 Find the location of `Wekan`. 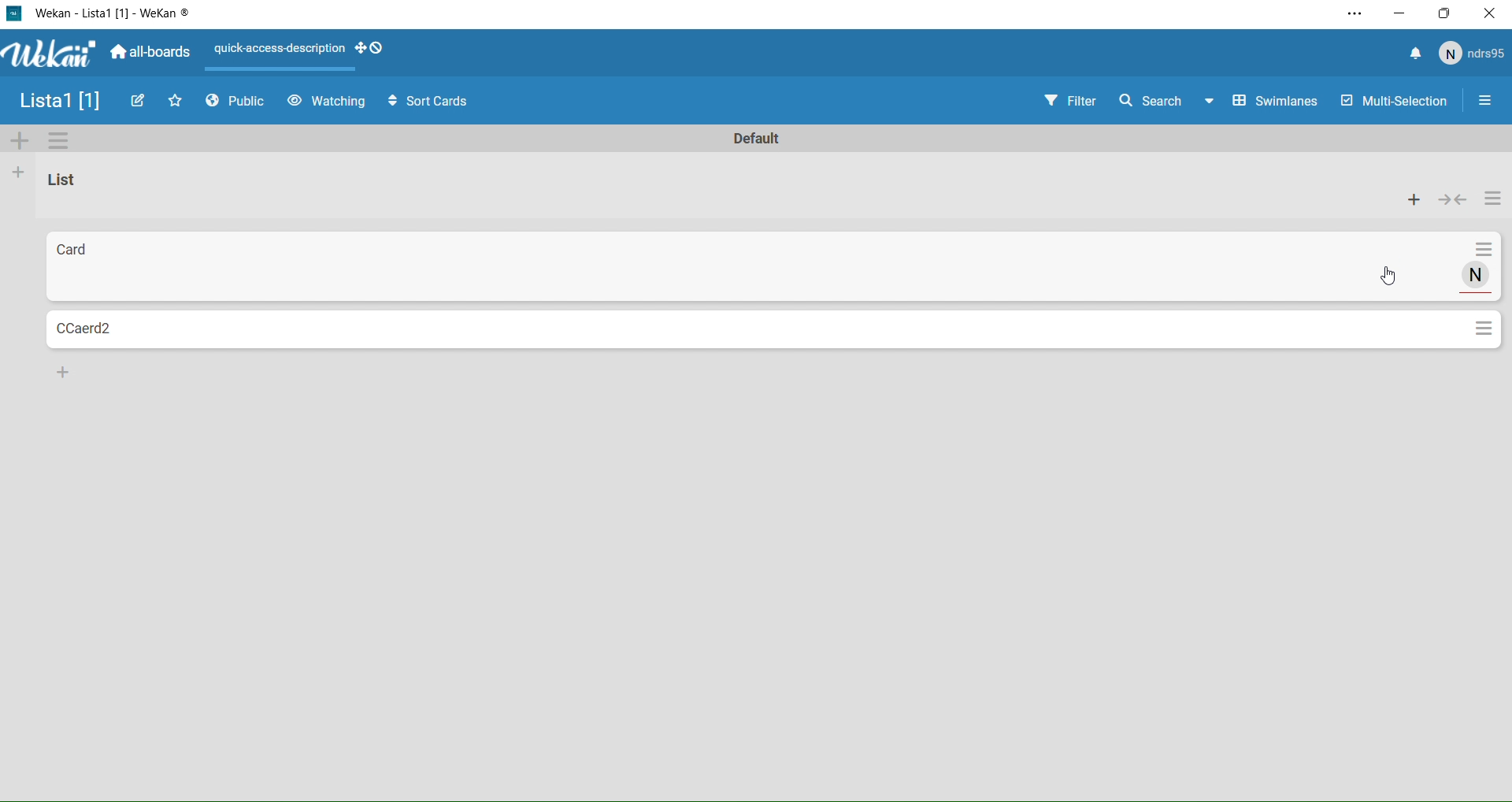

Wekan is located at coordinates (113, 14).